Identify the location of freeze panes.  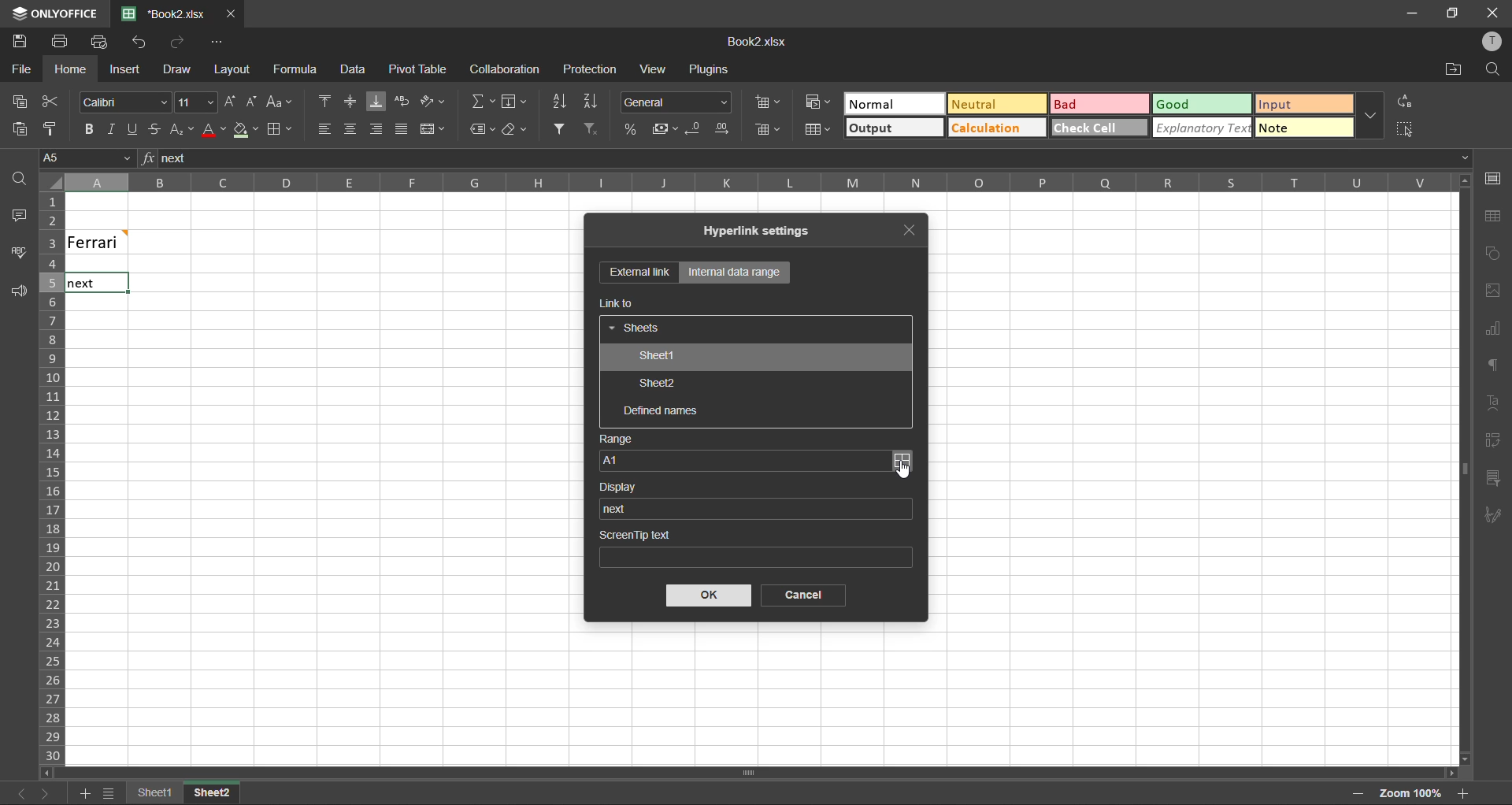
(151, 792).